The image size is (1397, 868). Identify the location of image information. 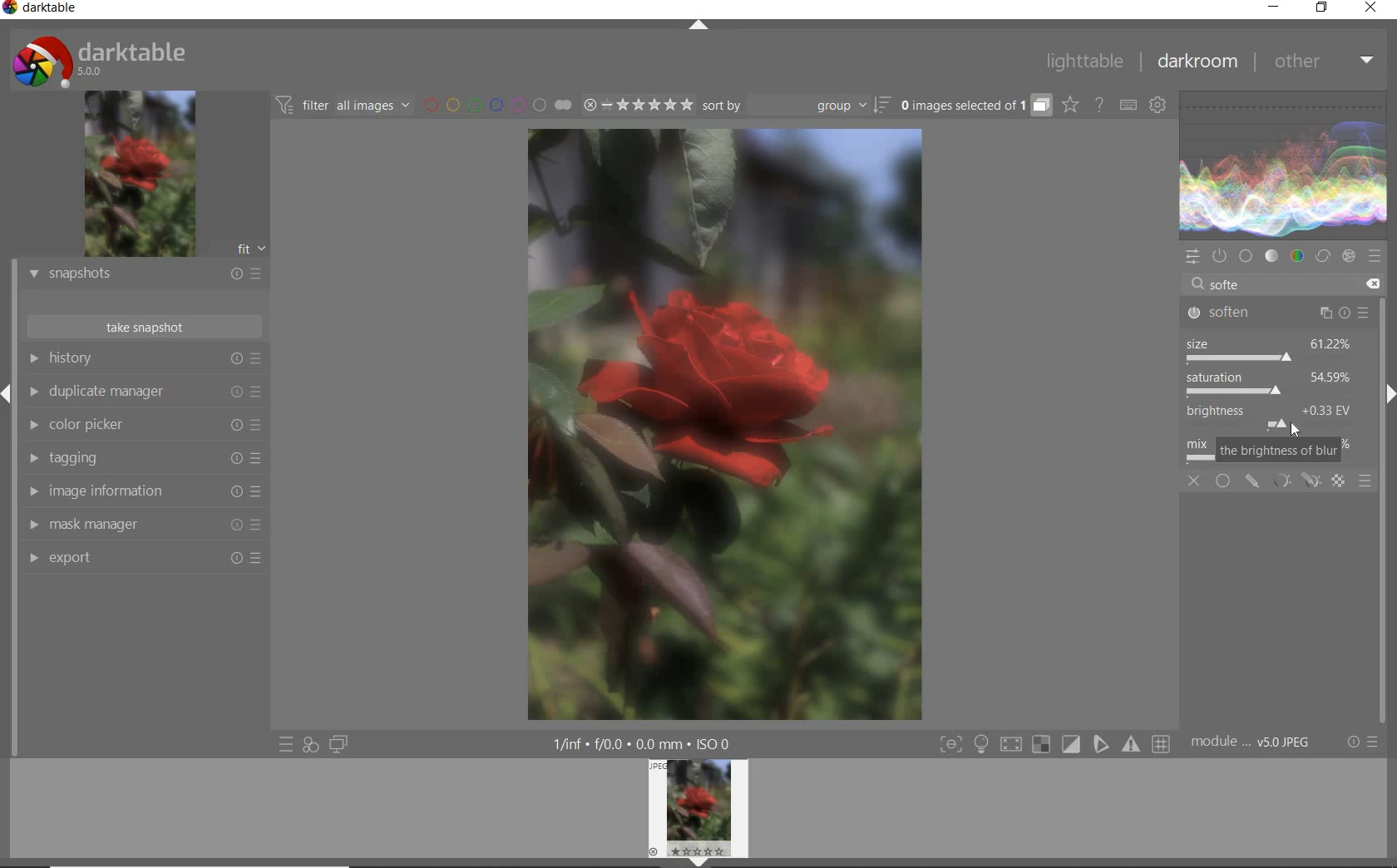
(142, 491).